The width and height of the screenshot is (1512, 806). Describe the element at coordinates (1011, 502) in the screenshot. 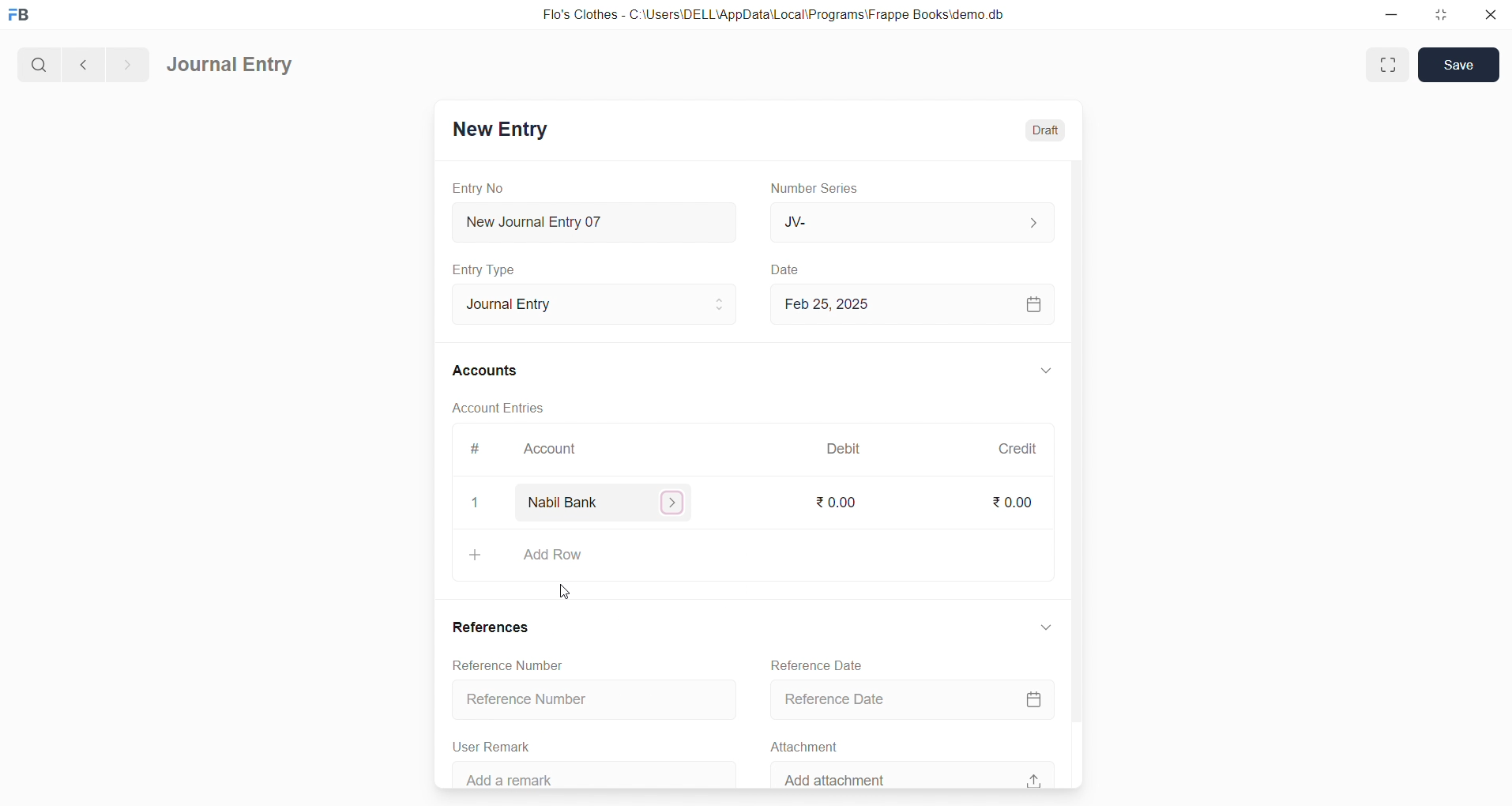

I see `₹ 0.00` at that location.